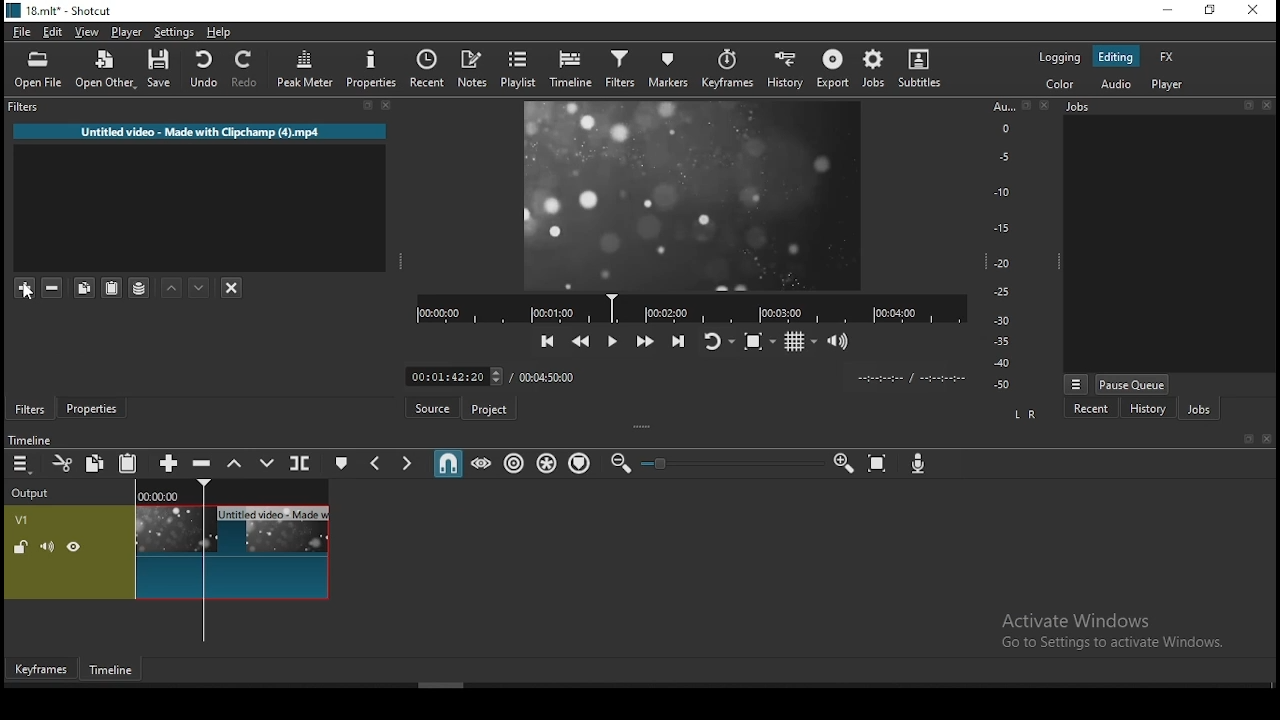 This screenshot has height=720, width=1280. Describe the element at coordinates (547, 463) in the screenshot. I see `ripple all tracks` at that location.